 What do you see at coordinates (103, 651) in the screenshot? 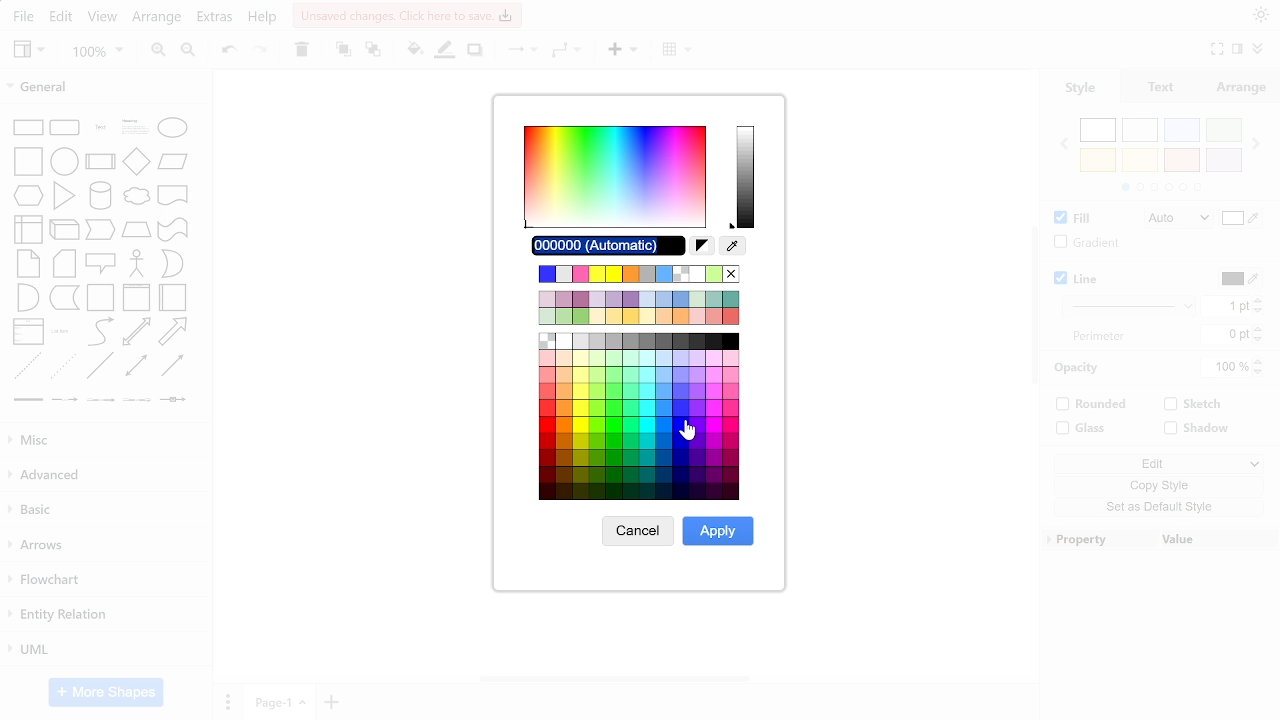
I see `UML` at bounding box center [103, 651].